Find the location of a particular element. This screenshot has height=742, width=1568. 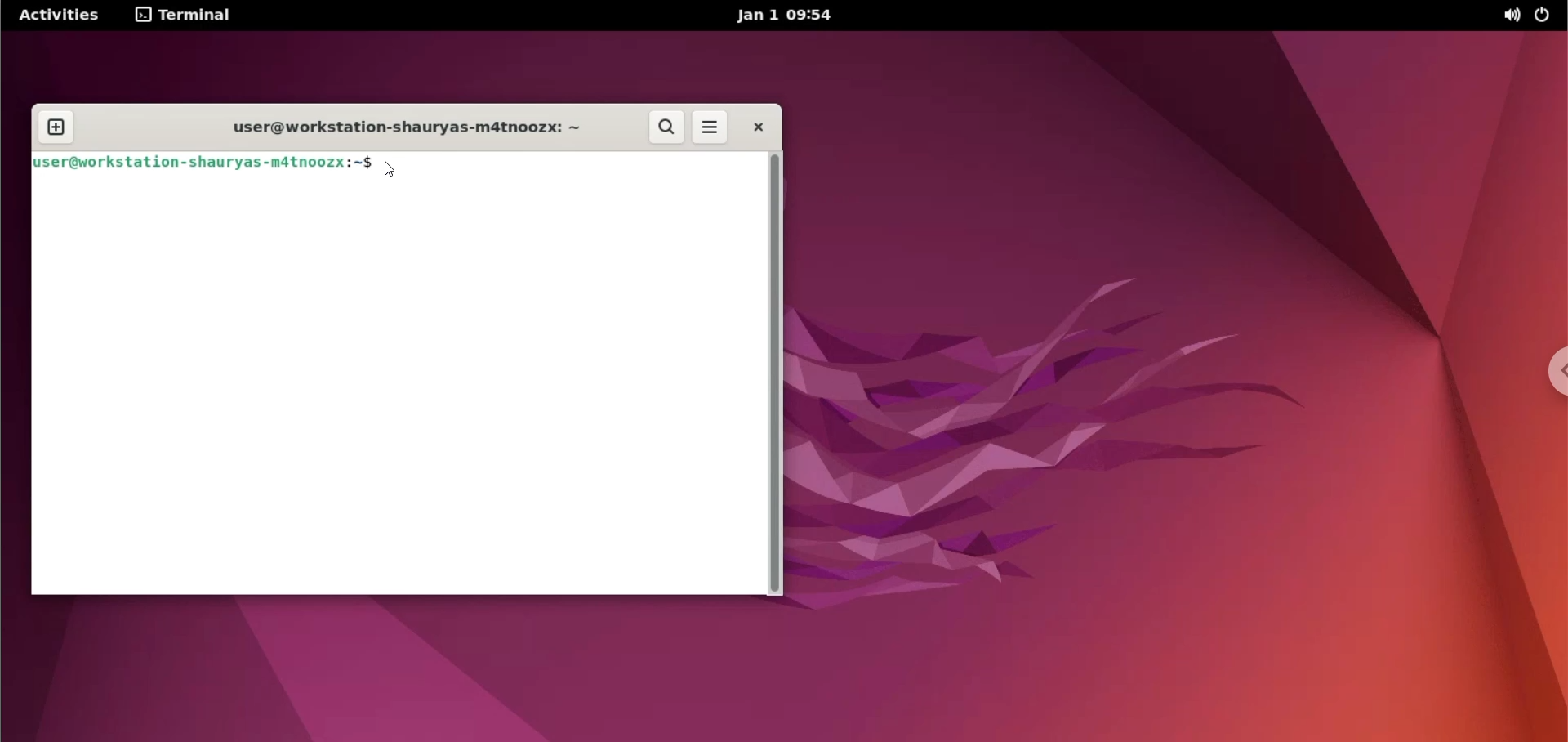

more options is located at coordinates (710, 127).